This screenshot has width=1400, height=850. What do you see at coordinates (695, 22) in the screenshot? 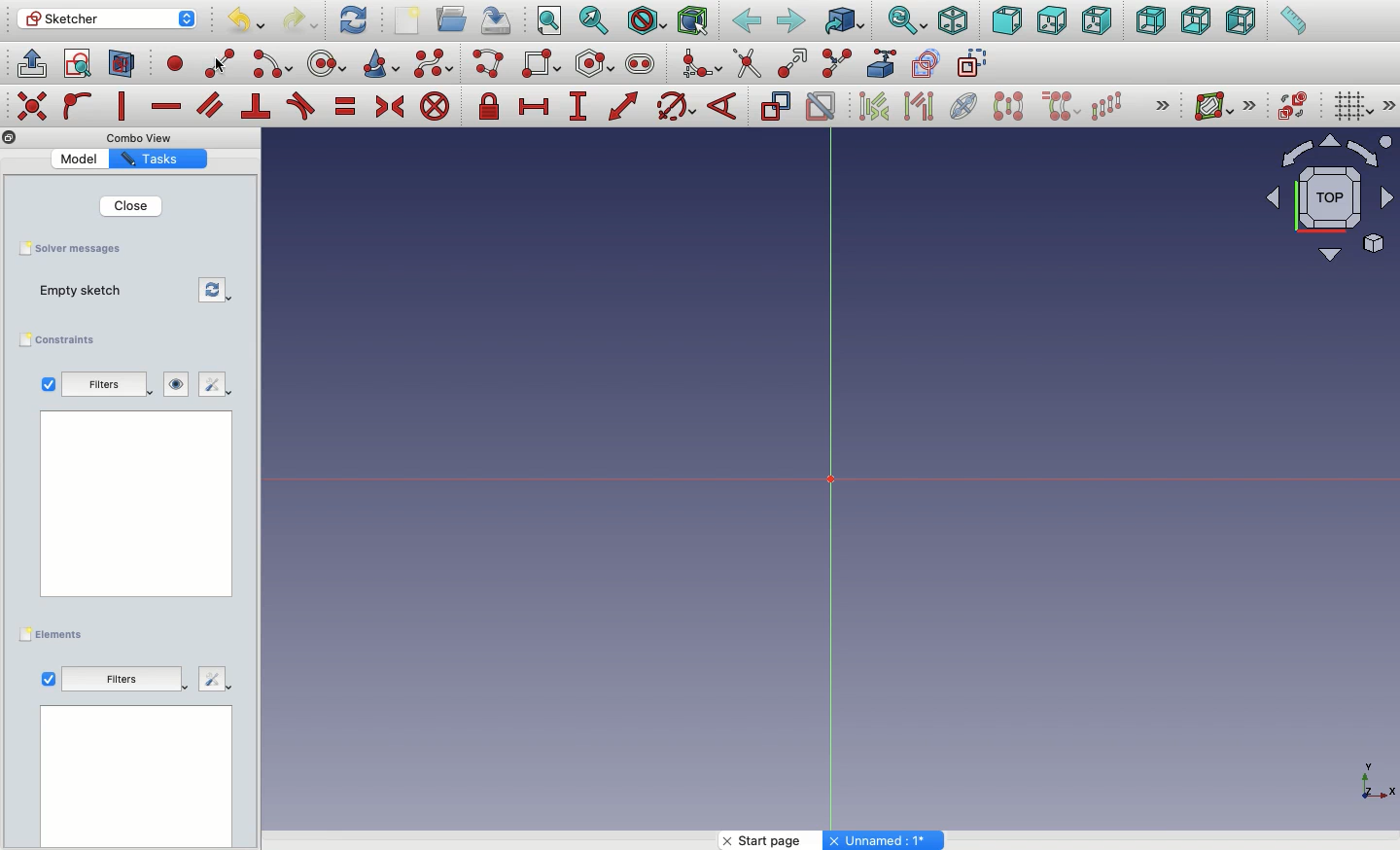
I see `Bounding box` at bounding box center [695, 22].